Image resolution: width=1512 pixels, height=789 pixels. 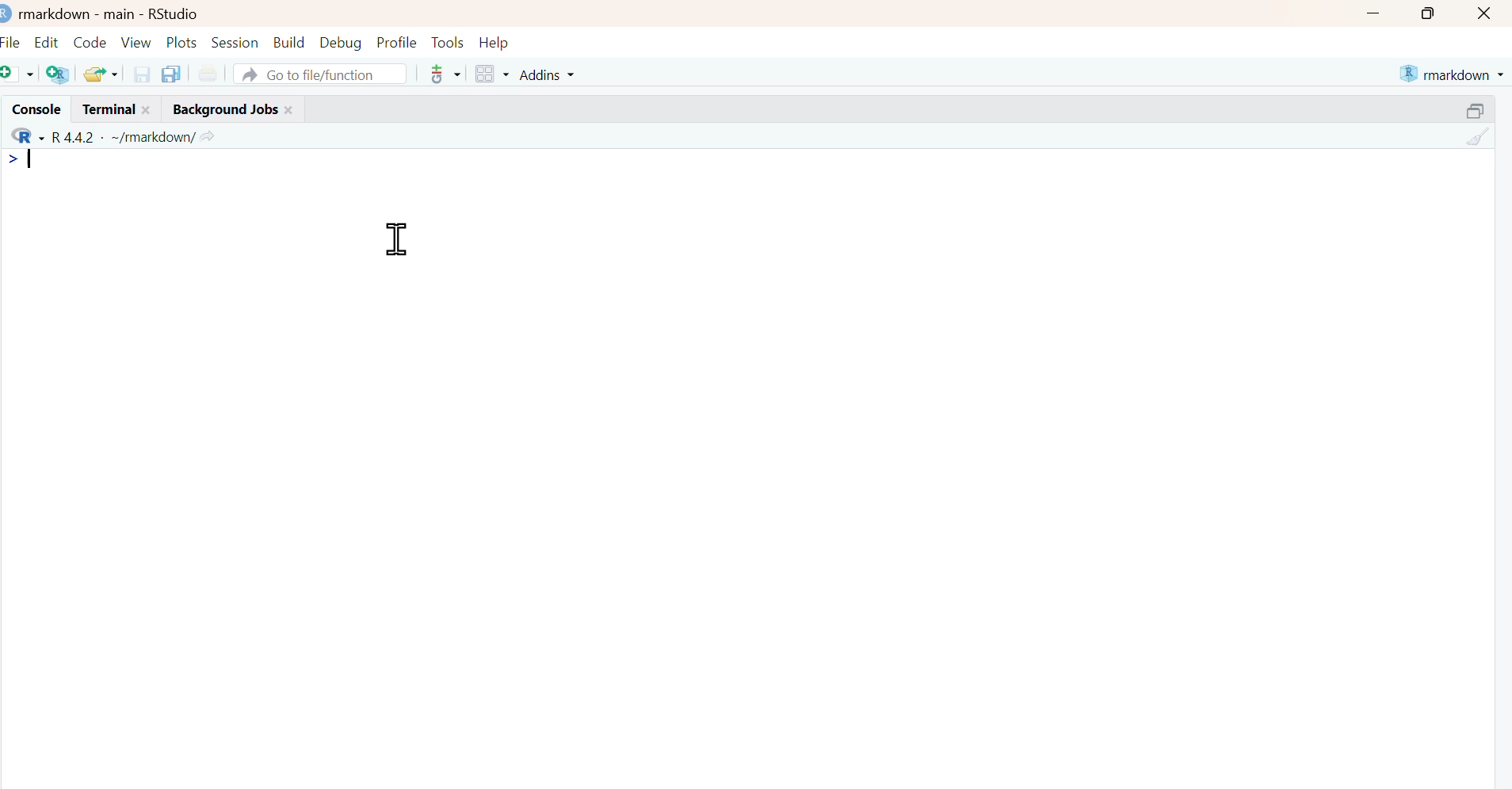 What do you see at coordinates (444, 75) in the screenshot?
I see `Git` at bounding box center [444, 75].